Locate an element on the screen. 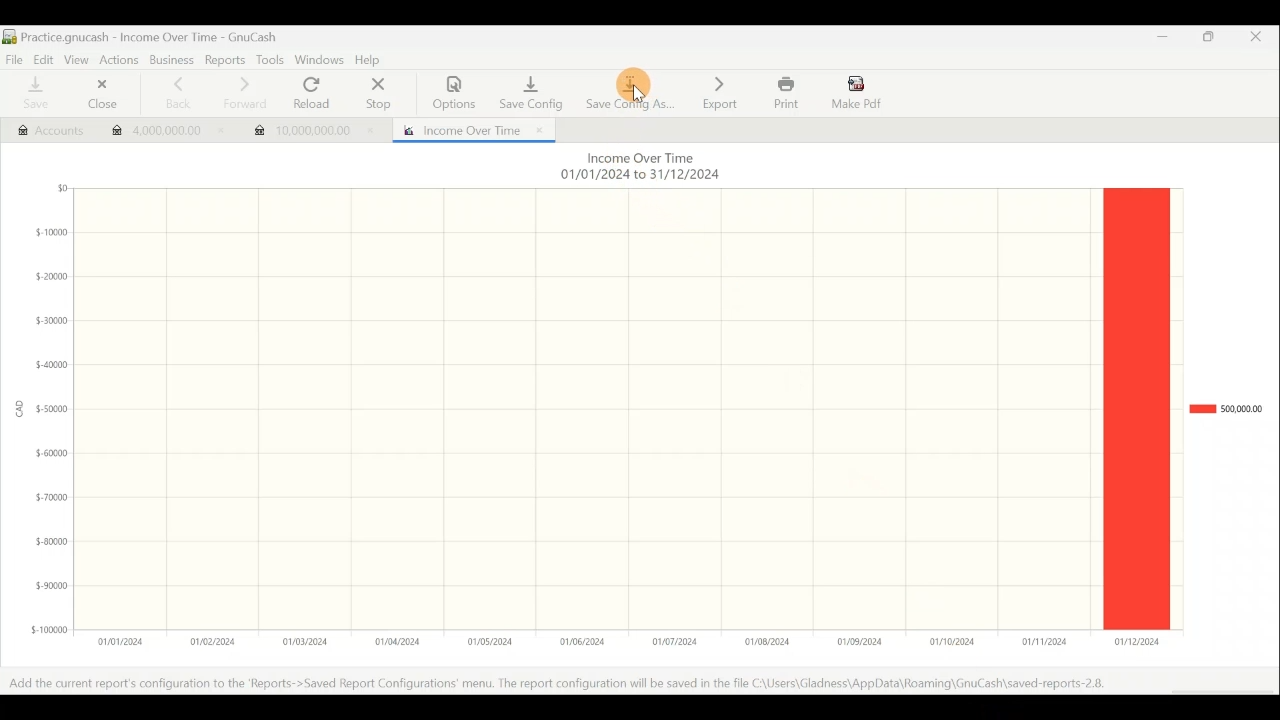  Business is located at coordinates (172, 61).